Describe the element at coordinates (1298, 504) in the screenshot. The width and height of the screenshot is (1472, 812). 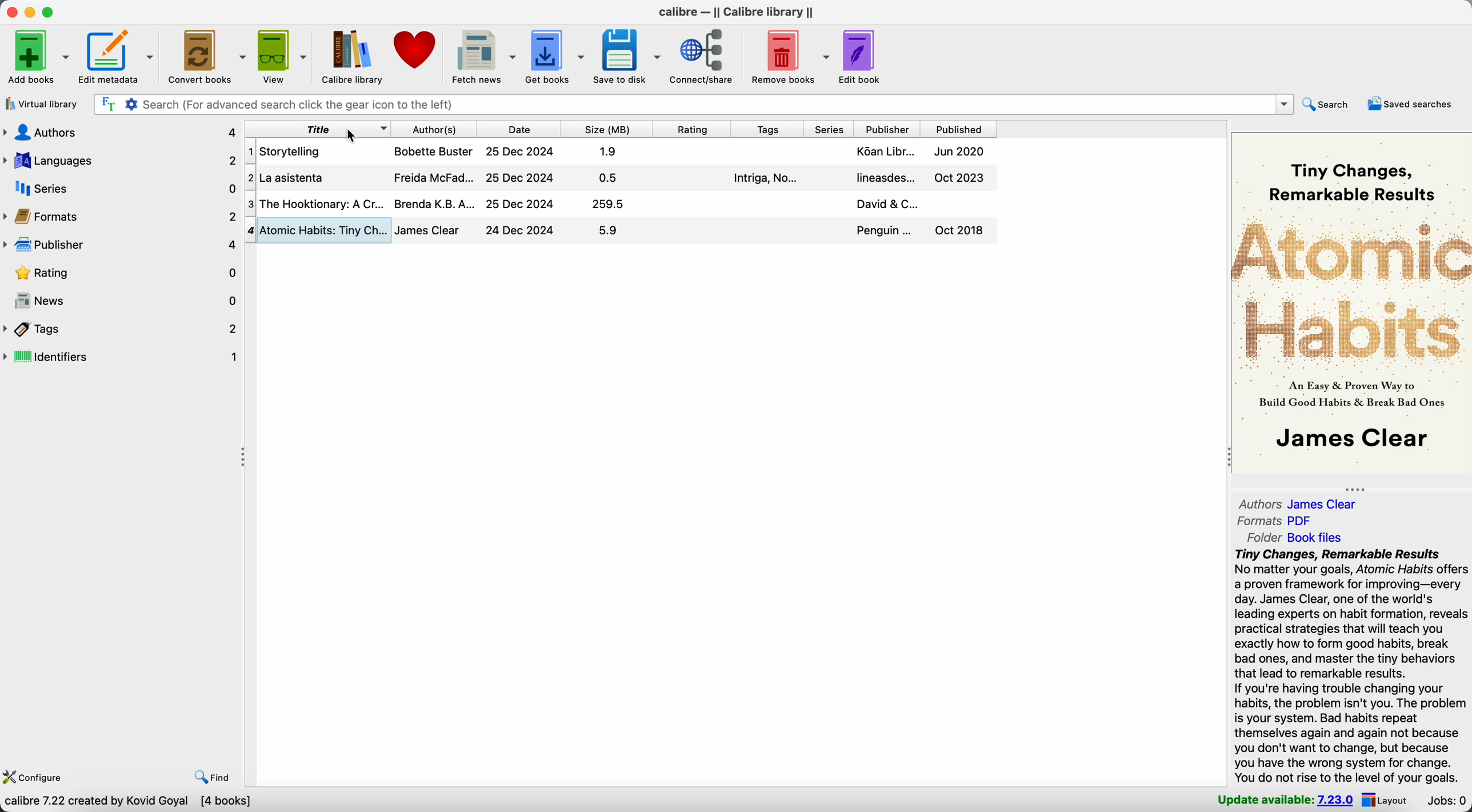
I see `authors james clear` at that location.